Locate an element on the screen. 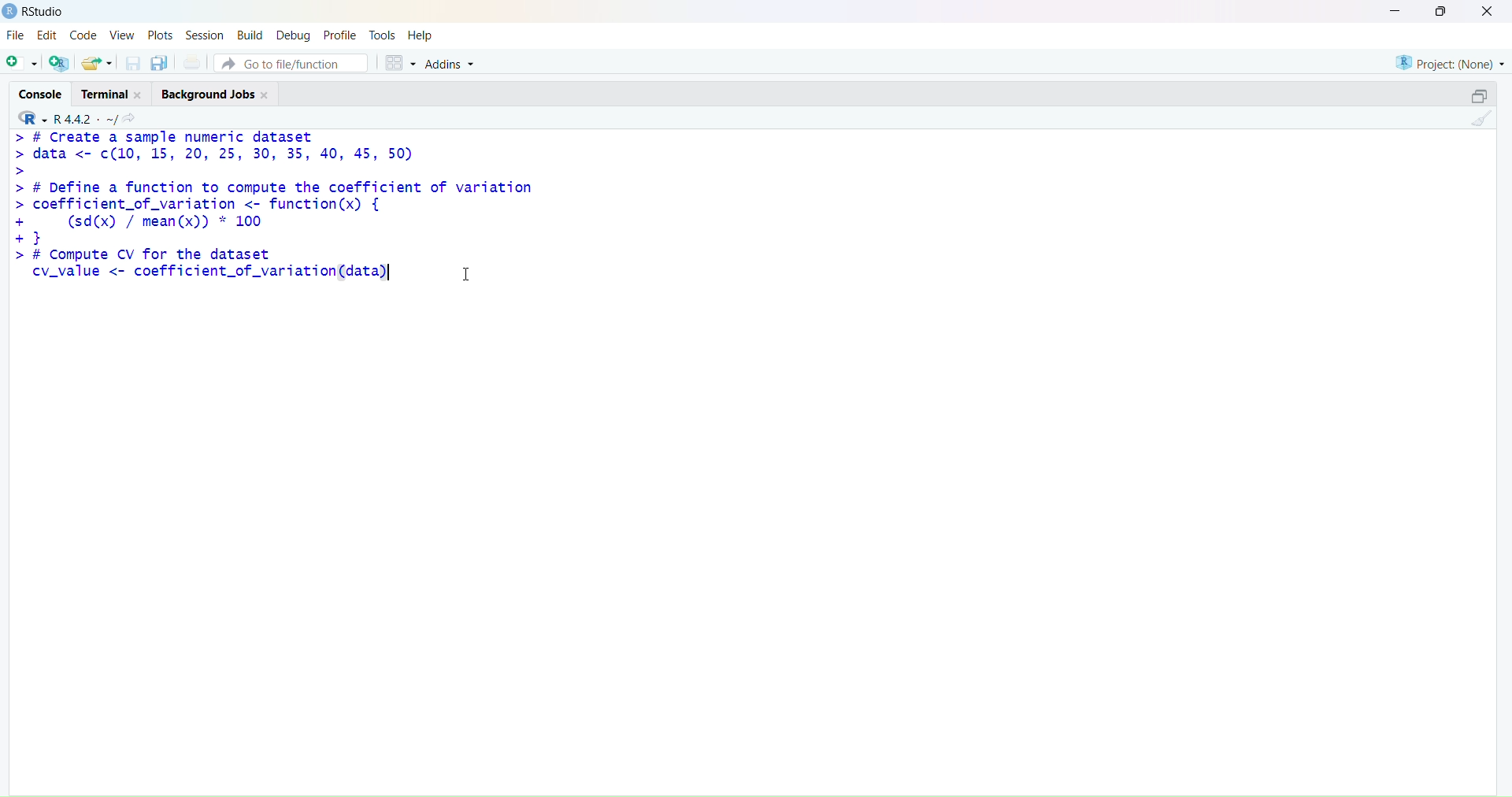  maximise is located at coordinates (1441, 10).